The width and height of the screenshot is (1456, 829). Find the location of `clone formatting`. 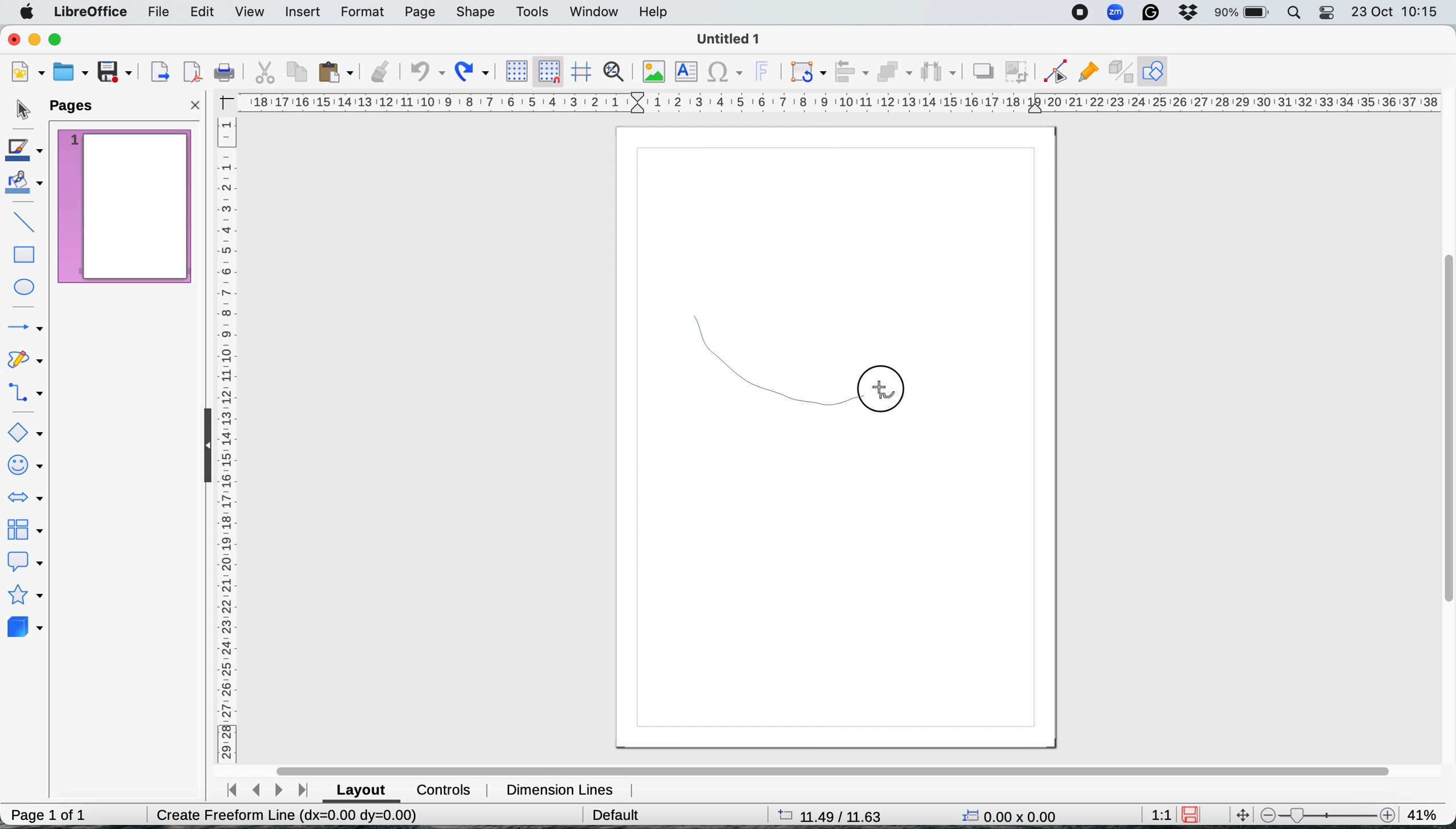

clone formatting is located at coordinates (381, 71).